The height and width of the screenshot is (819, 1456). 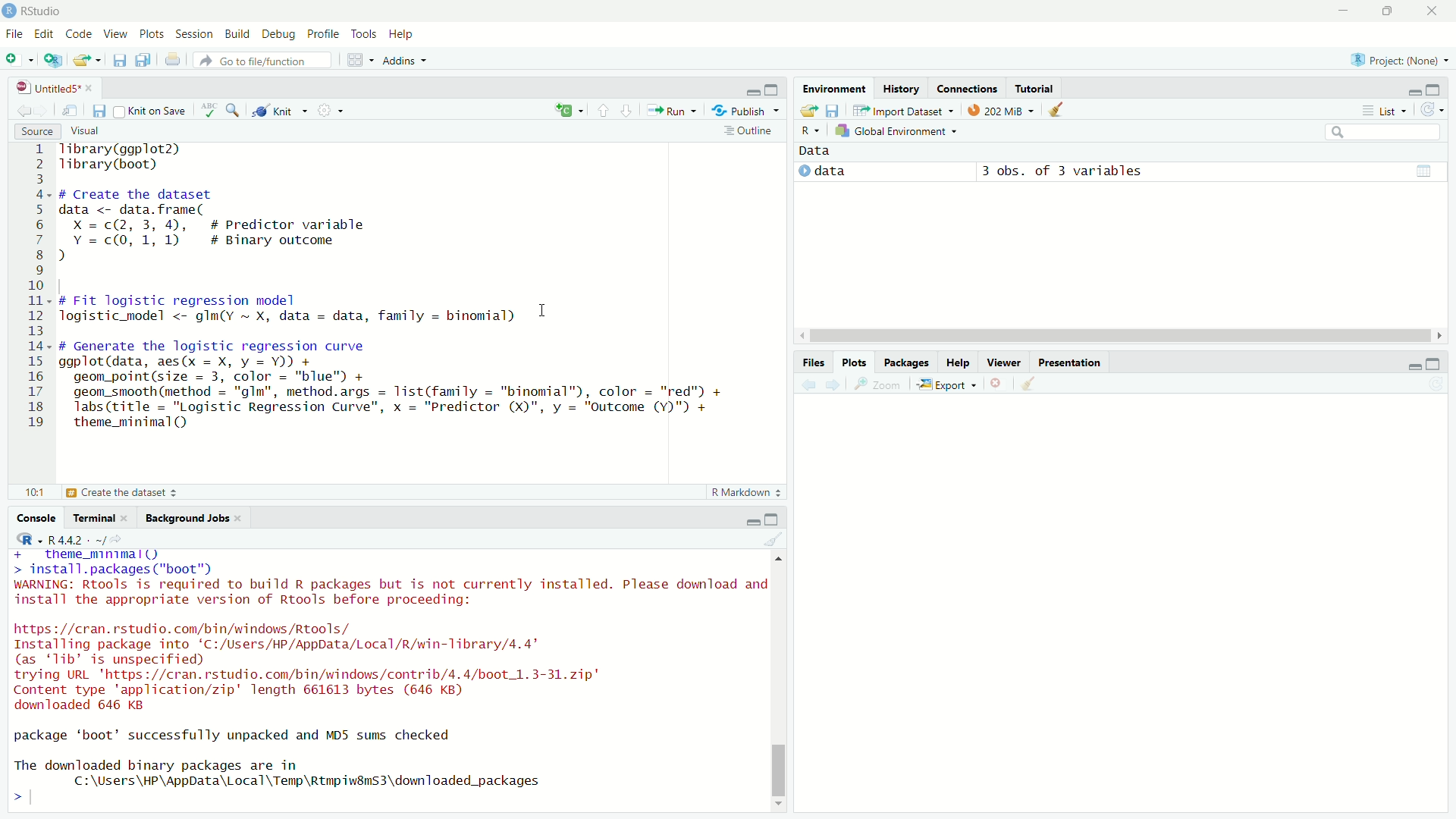 What do you see at coordinates (1001, 108) in the screenshot?
I see `202 MiB` at bounding box center [1001, 108].